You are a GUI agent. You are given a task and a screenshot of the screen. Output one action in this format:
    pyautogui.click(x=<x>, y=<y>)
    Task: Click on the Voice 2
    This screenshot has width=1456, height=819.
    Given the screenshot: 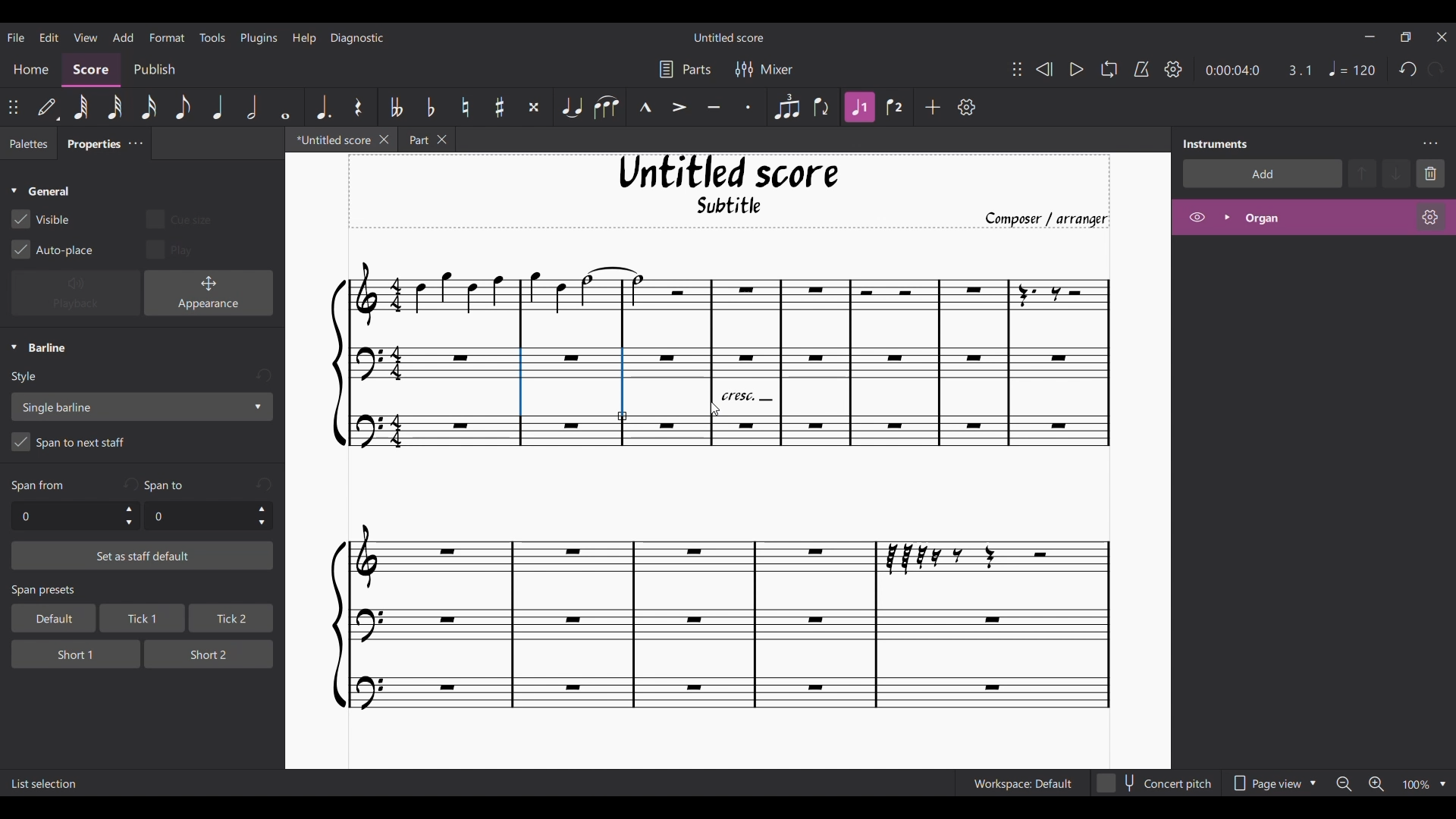 What is the action you would take?
    pyautogui.click(x=896, y=107)
    